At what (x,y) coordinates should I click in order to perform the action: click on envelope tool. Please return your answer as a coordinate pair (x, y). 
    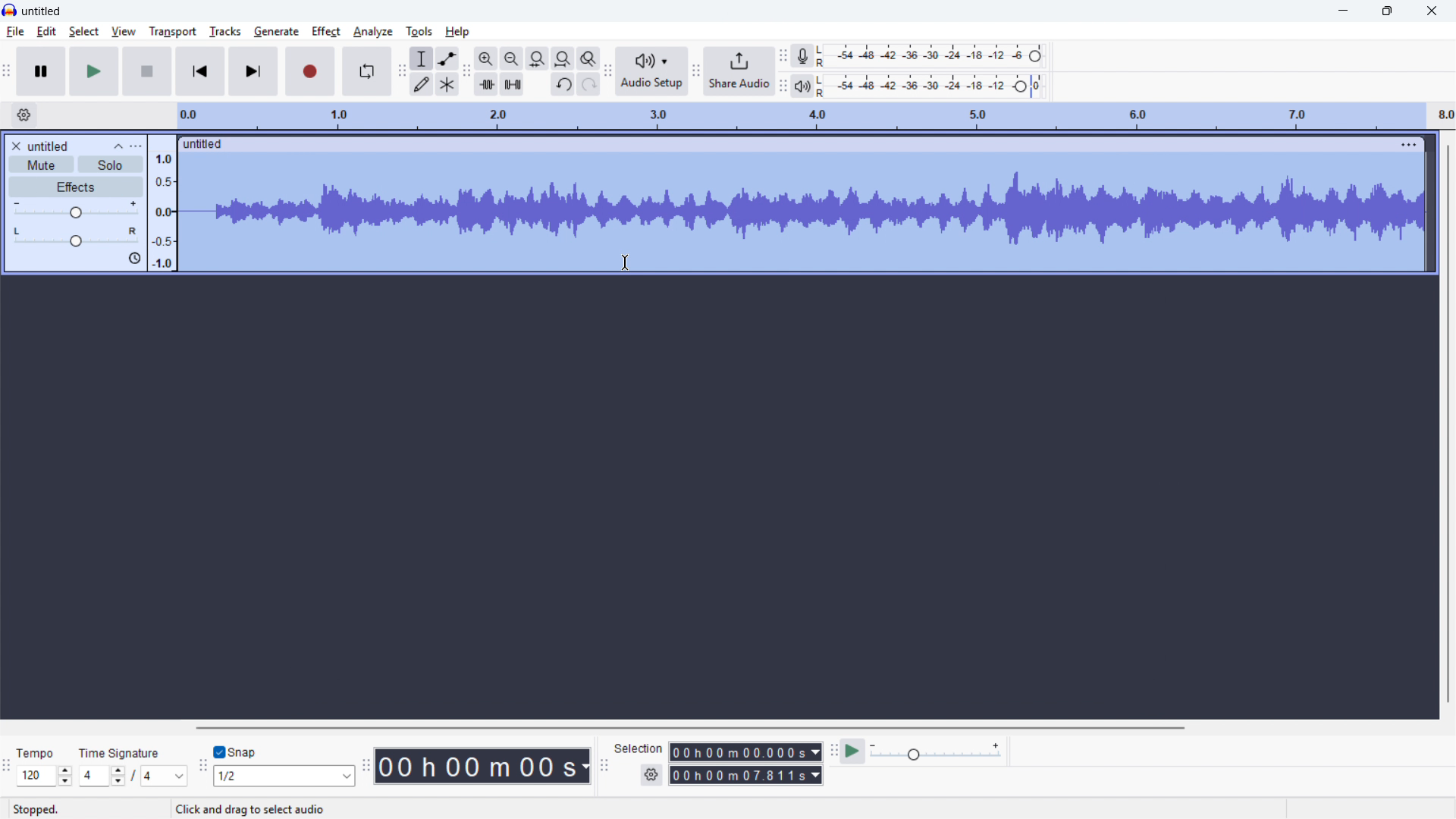
    Looking at the image, I should click on (447, 58).